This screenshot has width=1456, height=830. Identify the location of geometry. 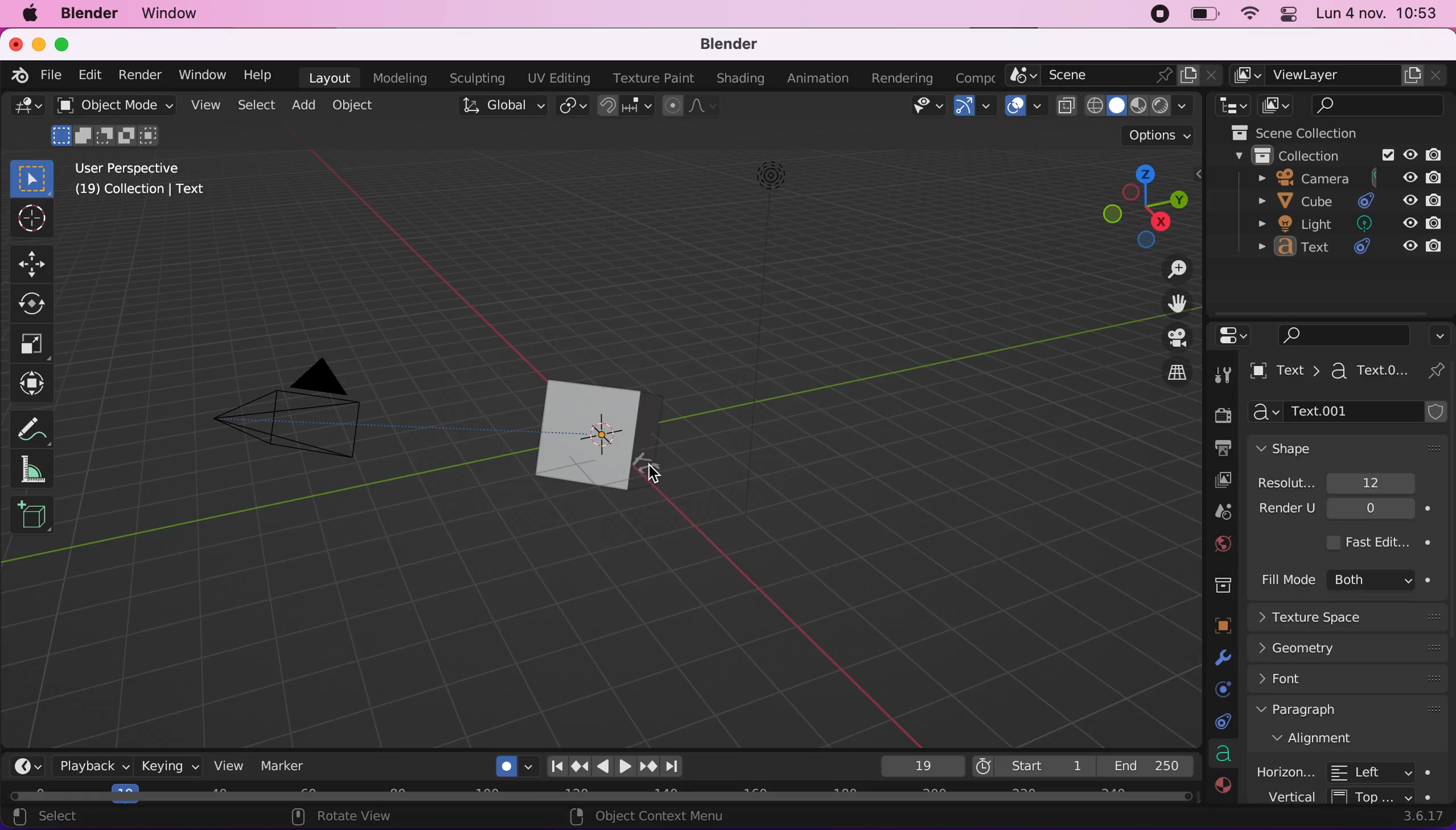
(1351, 650).